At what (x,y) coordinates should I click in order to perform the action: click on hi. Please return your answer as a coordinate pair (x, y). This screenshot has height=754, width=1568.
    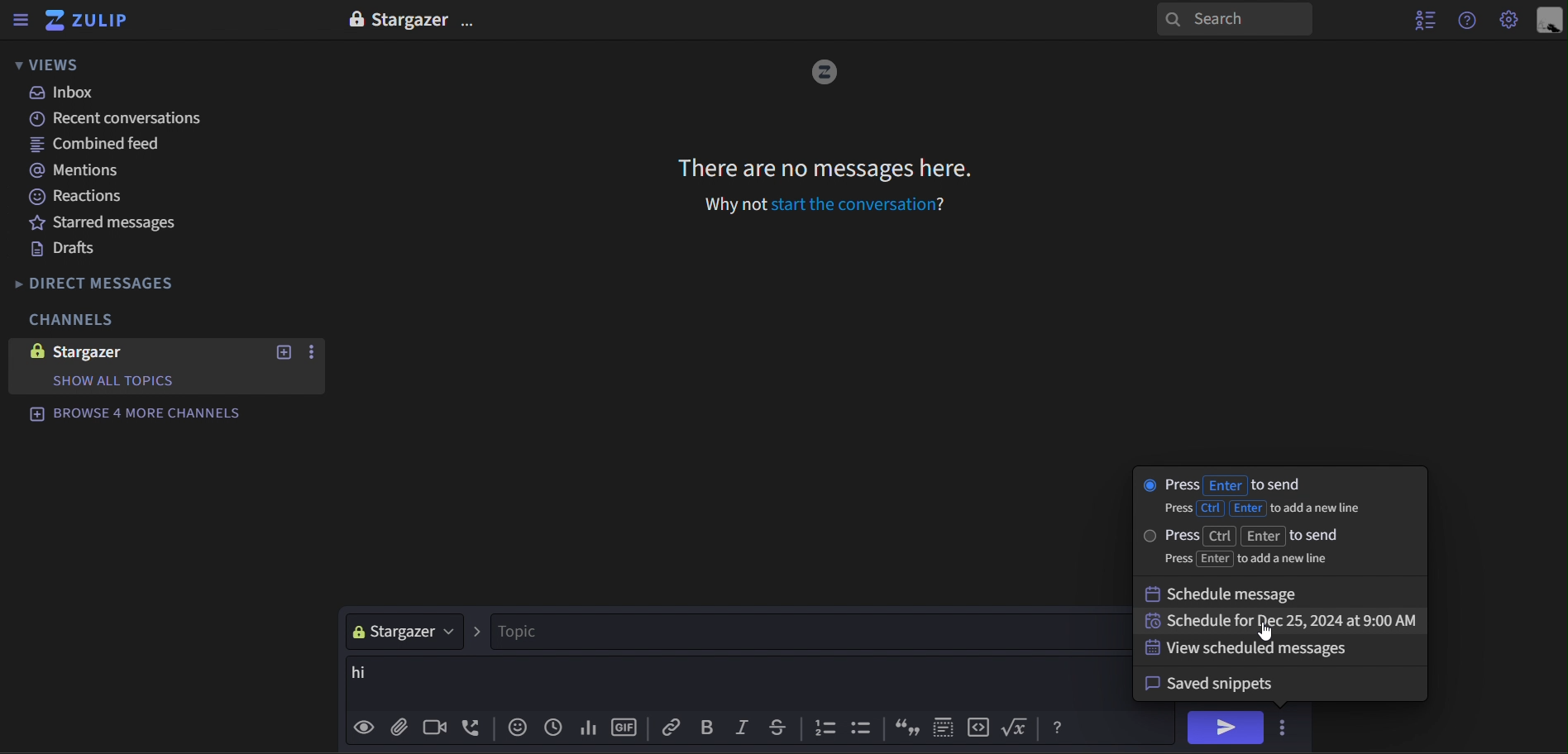
    Looking at the image, I should click on (729, 679).